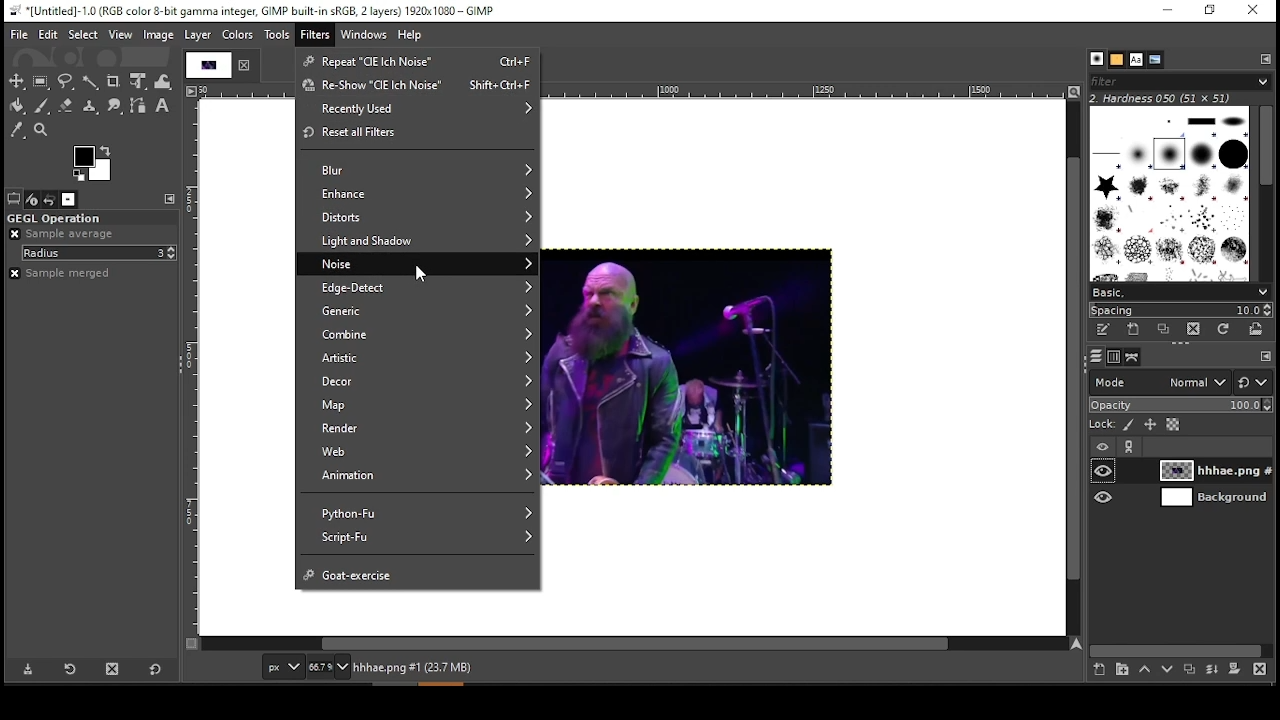  I want to click on smudge tool, so click(114, 107).